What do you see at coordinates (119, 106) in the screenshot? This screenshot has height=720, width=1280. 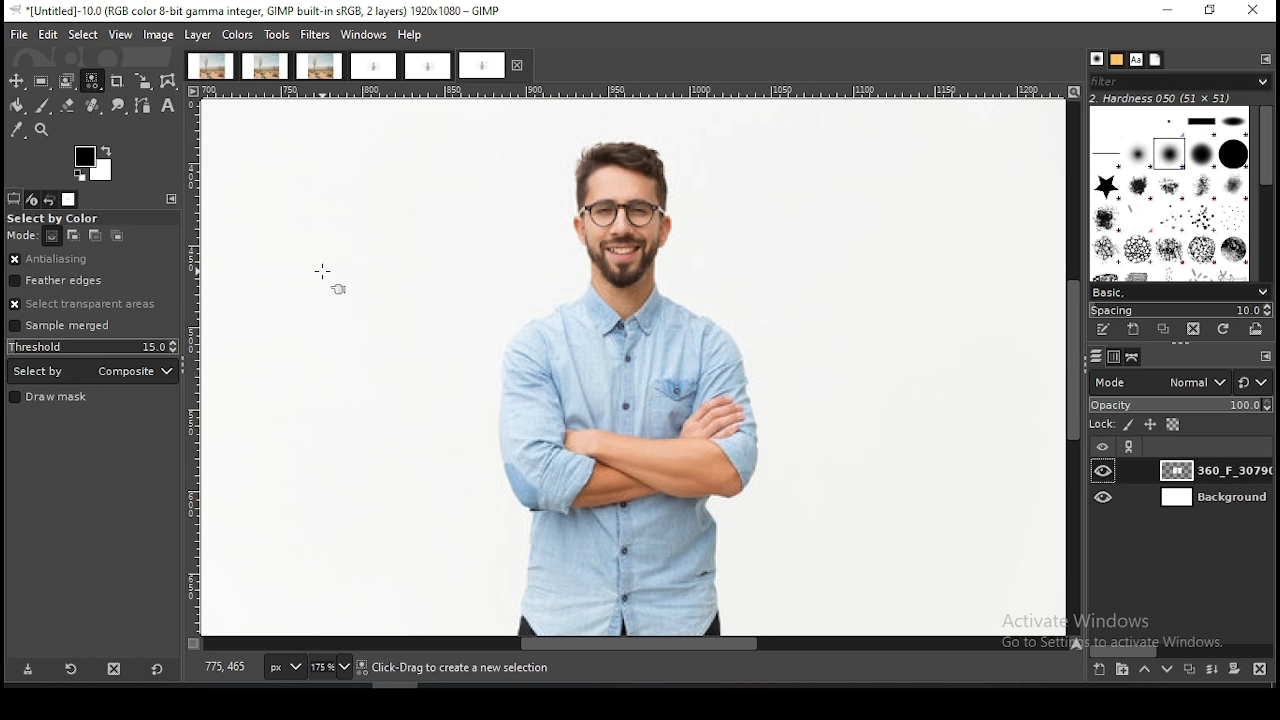 I see `smudge tool` at bounding box center [119, 106].